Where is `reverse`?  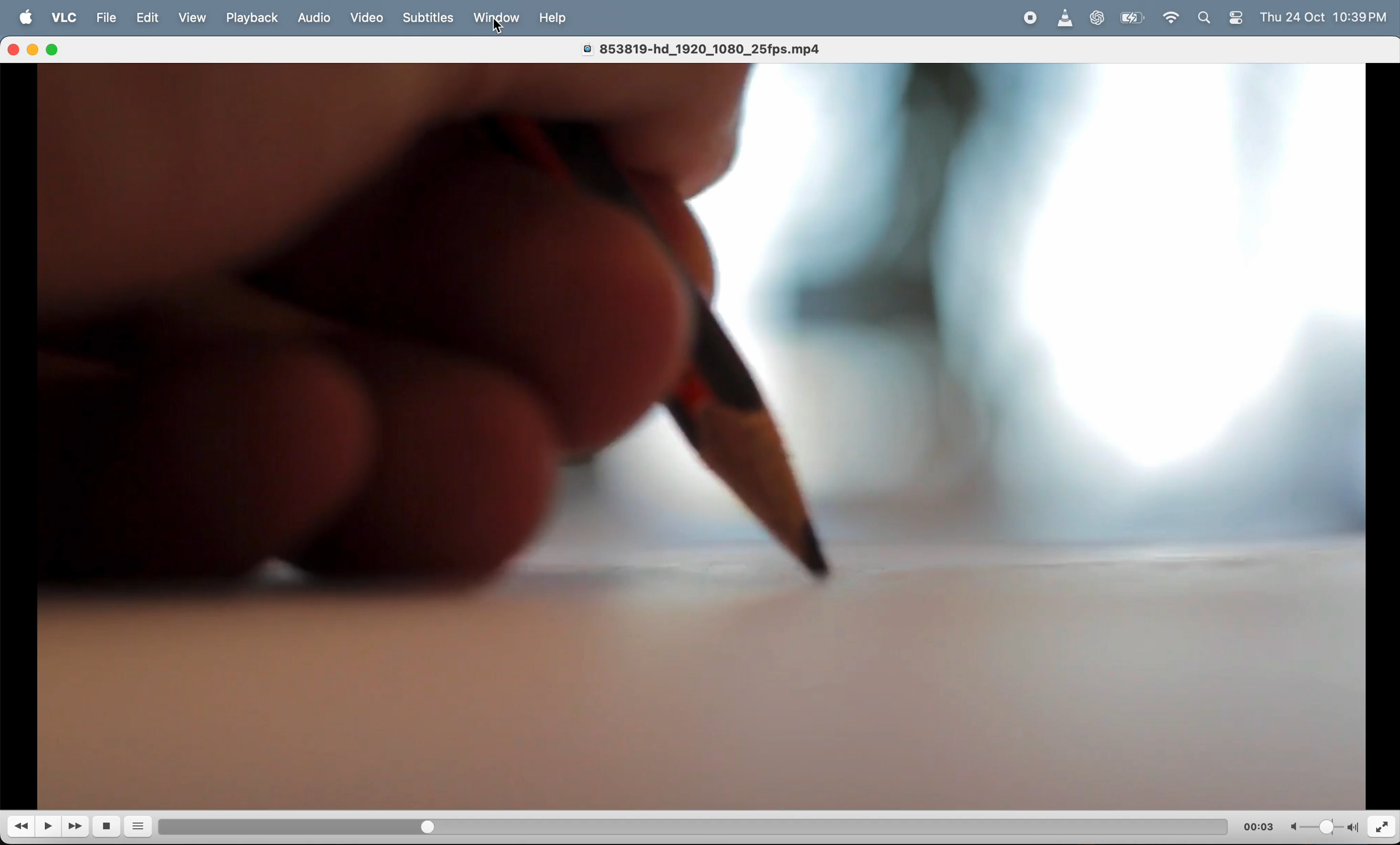
reverse is located at coordinates (22, 828).